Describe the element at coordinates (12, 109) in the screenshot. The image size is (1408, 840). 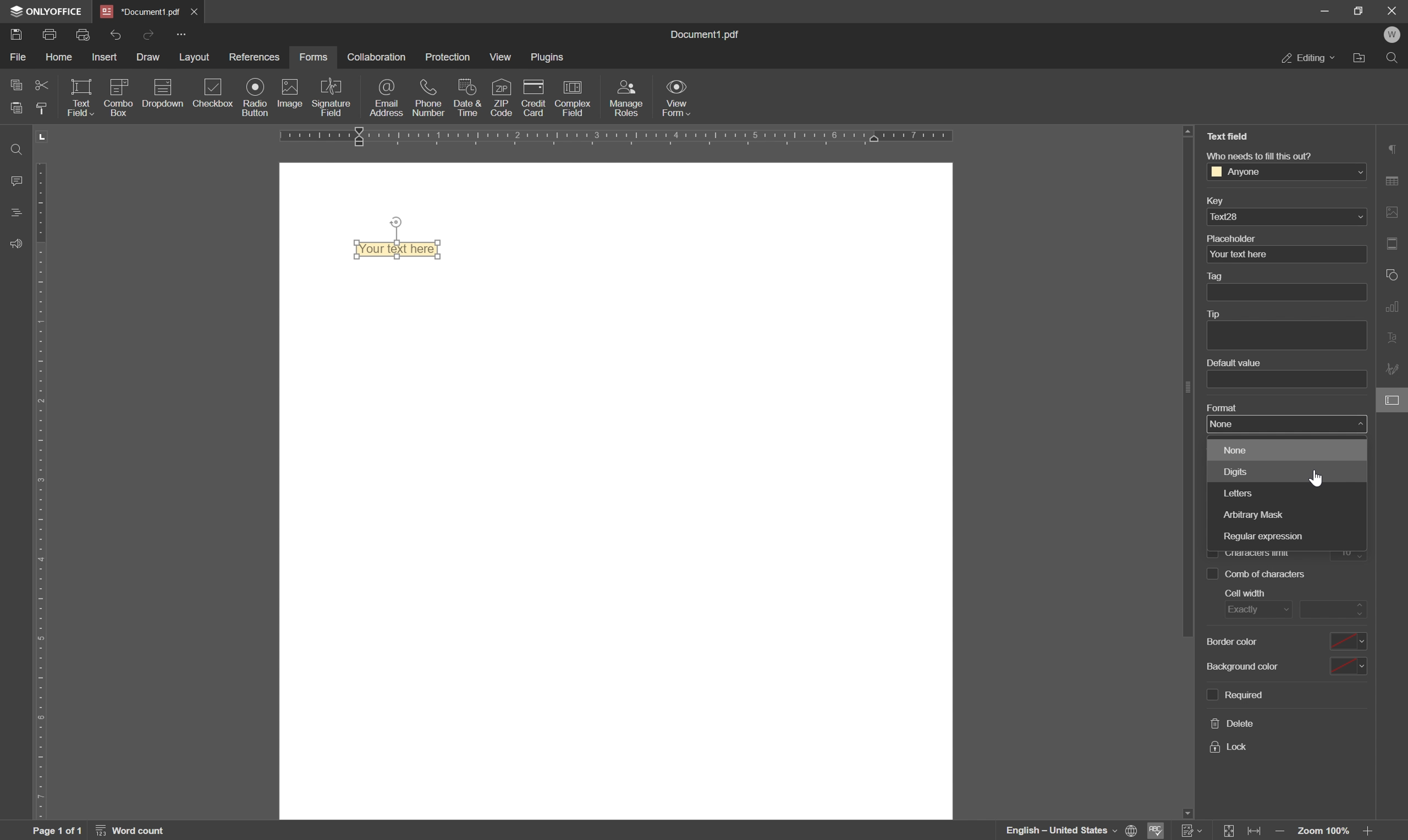
I see `paste` at that location.